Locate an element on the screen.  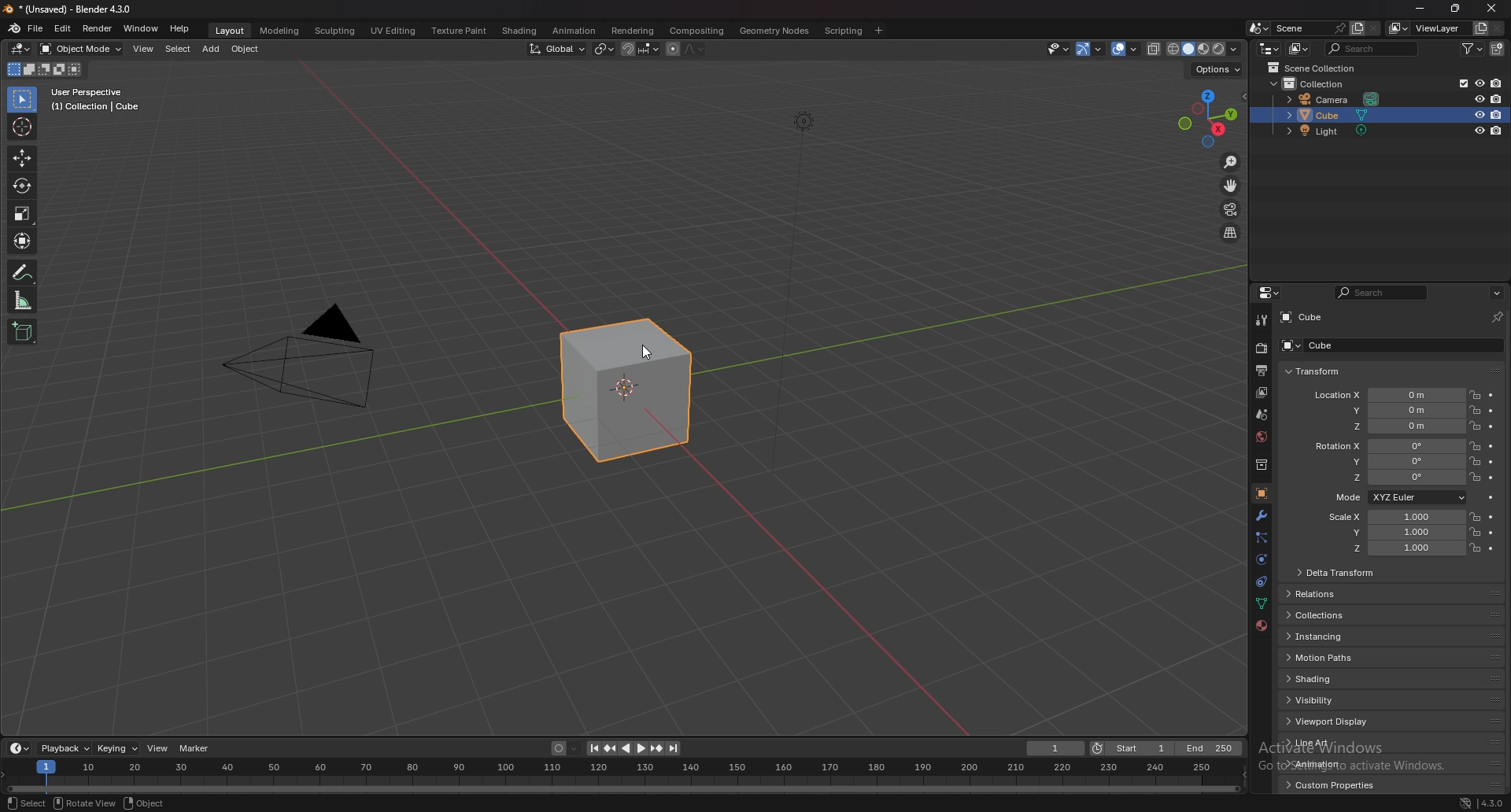
scale is located at coordinates (22, 213).